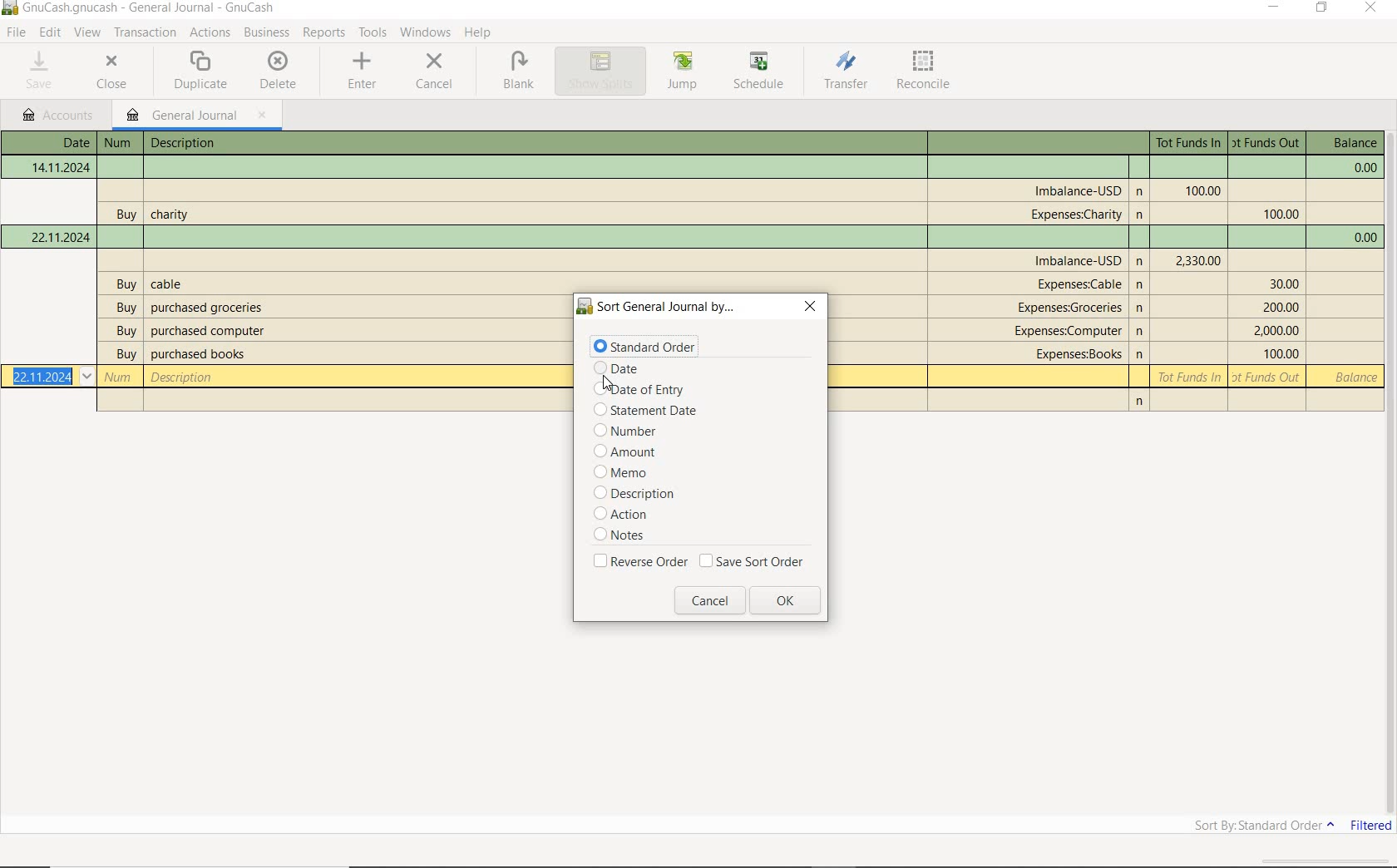  What do you see at coordinates (41, 71) in the screenshot?
I see `SAVE` at bounding box center [41, 71].